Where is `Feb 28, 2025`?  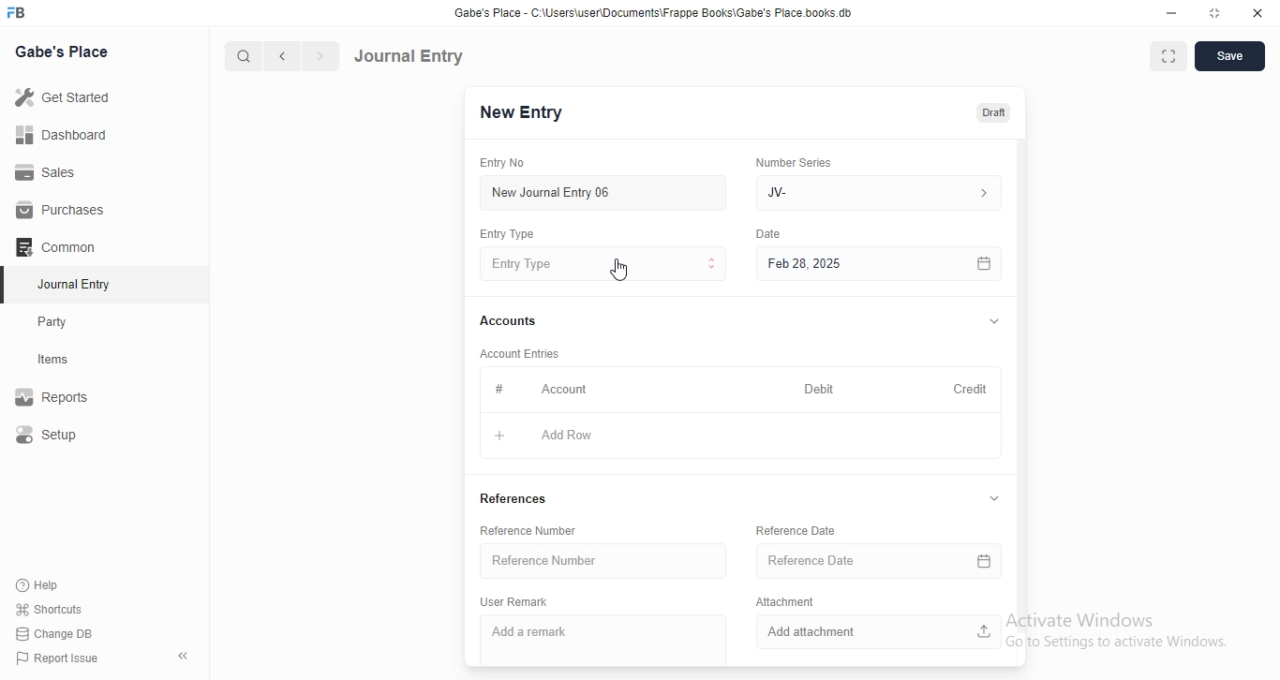
Feb 28, 2025 is located at coordinates (860, 263).